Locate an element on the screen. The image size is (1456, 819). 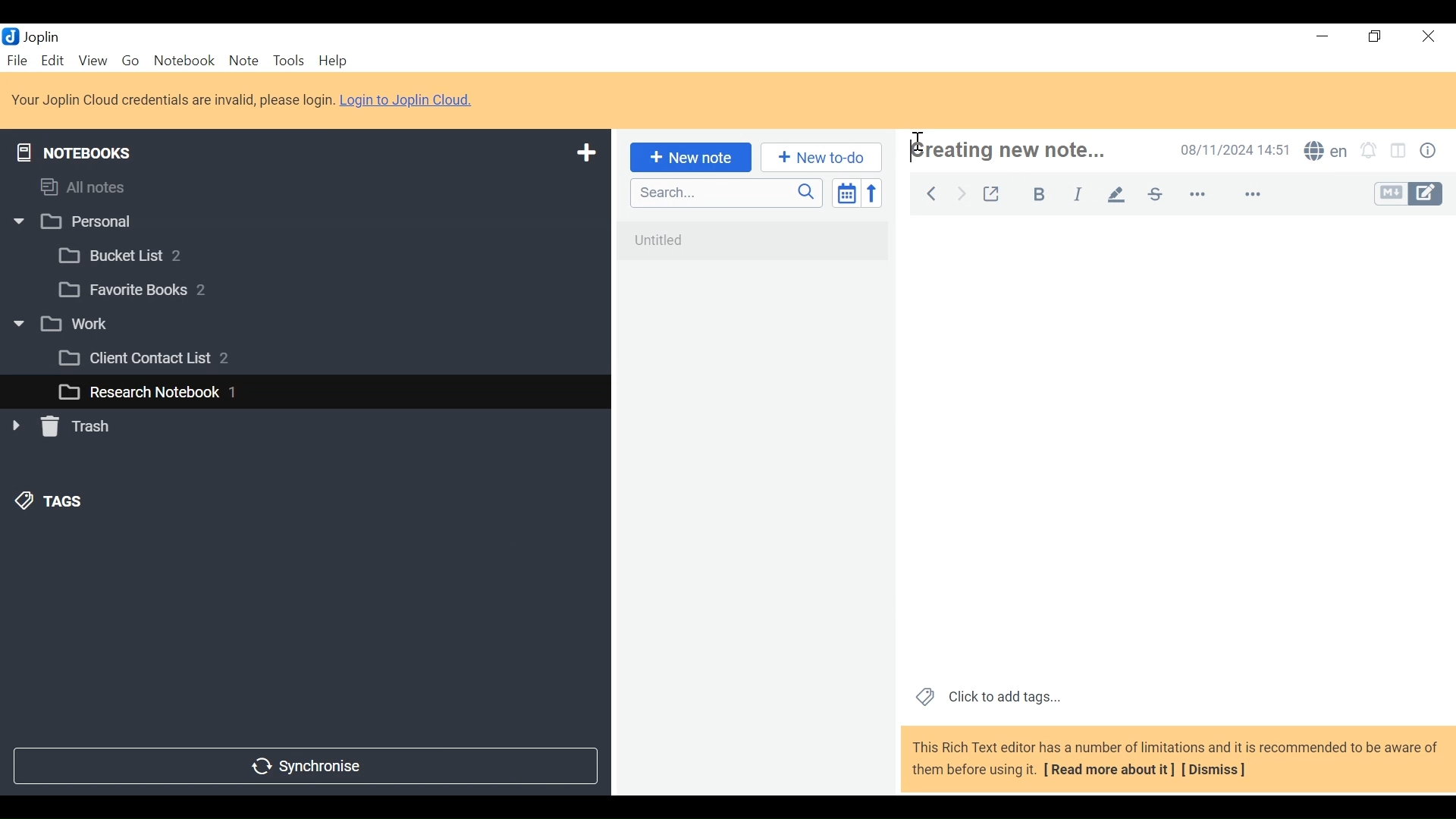
Help is located at coordinates (335, 61).